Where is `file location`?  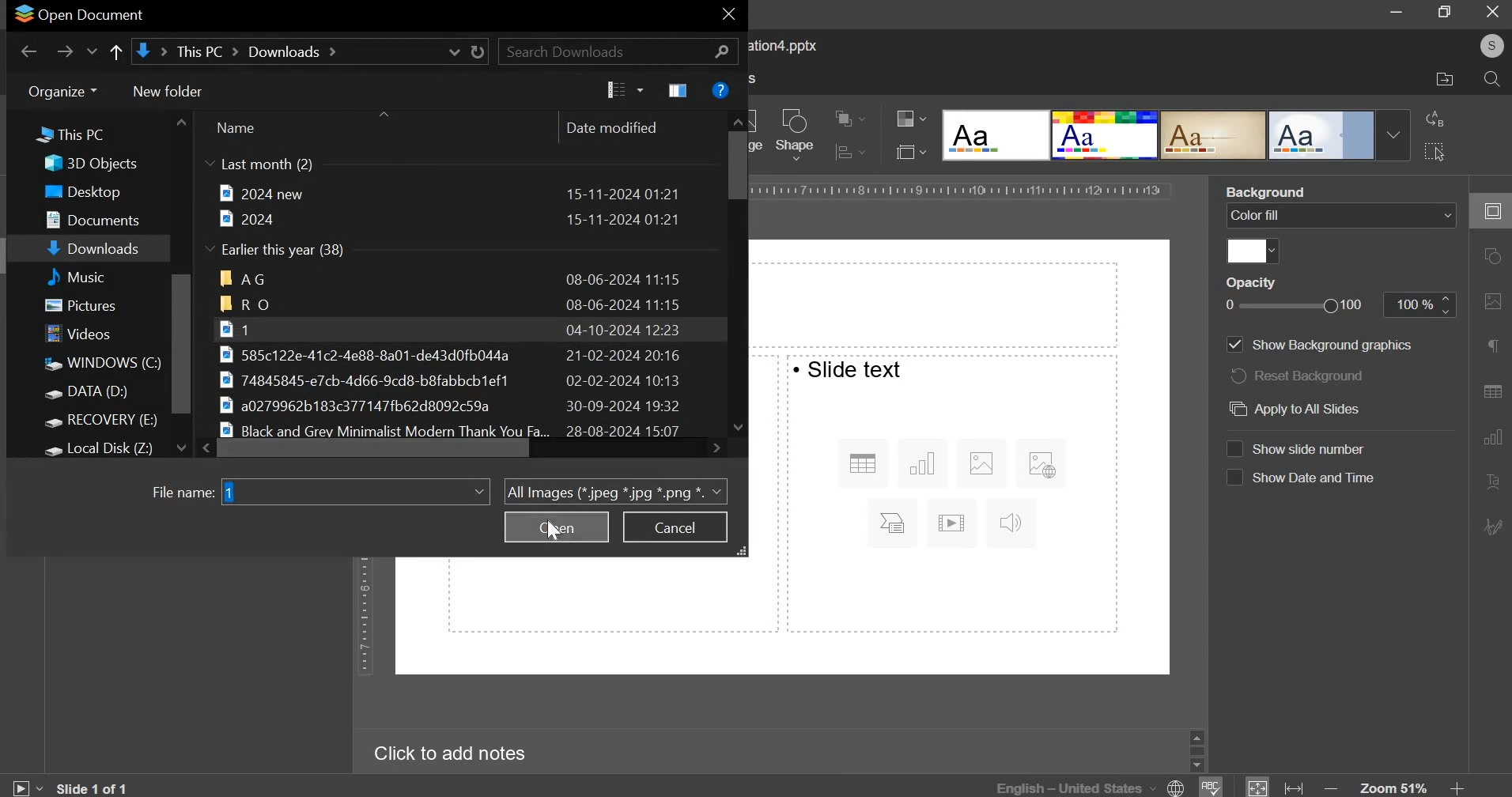
file location is located at coordinates (1445, 80).